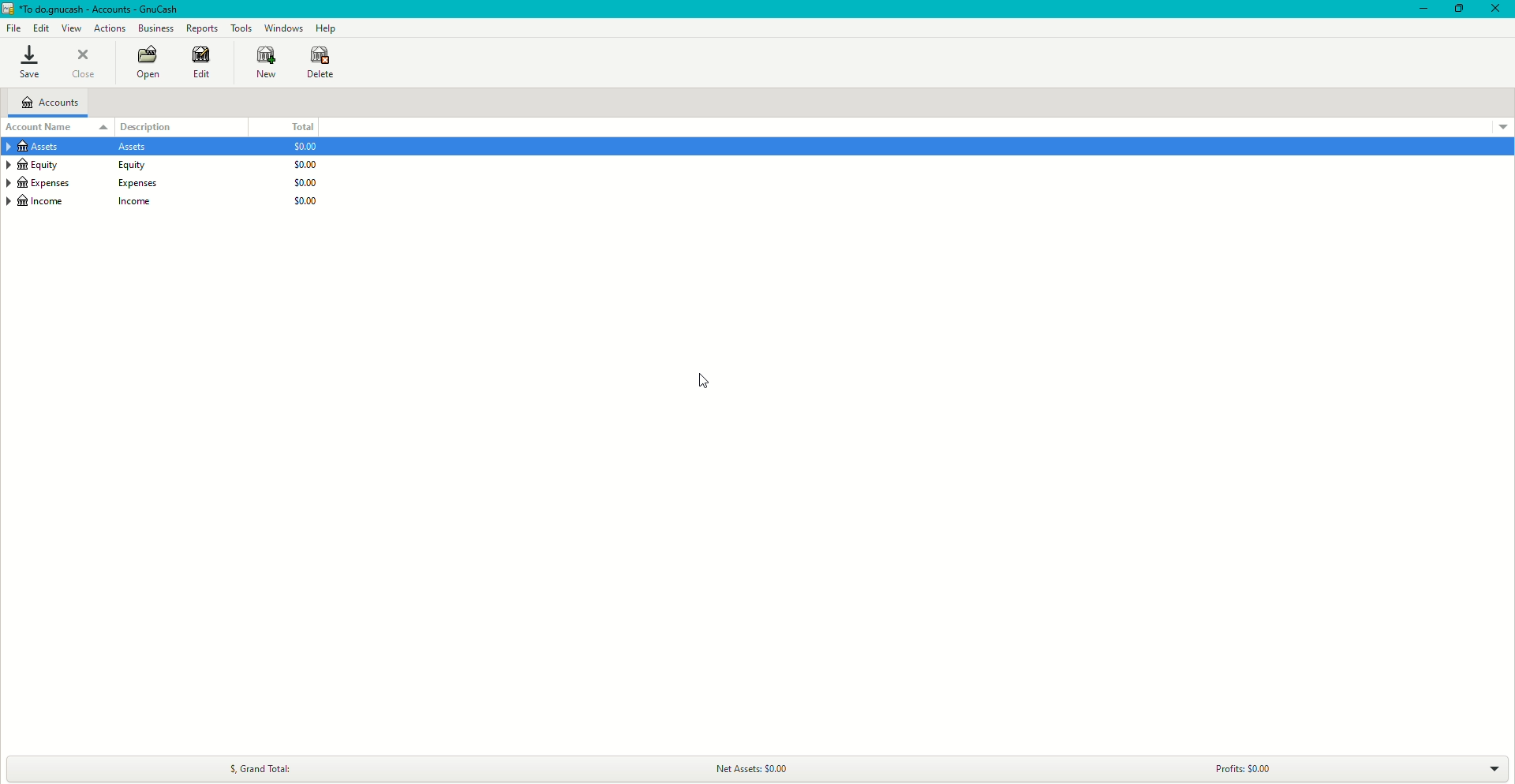 The height and width of the screenshot is (784, 1515). I want to click on Reports, so click(202, 28).